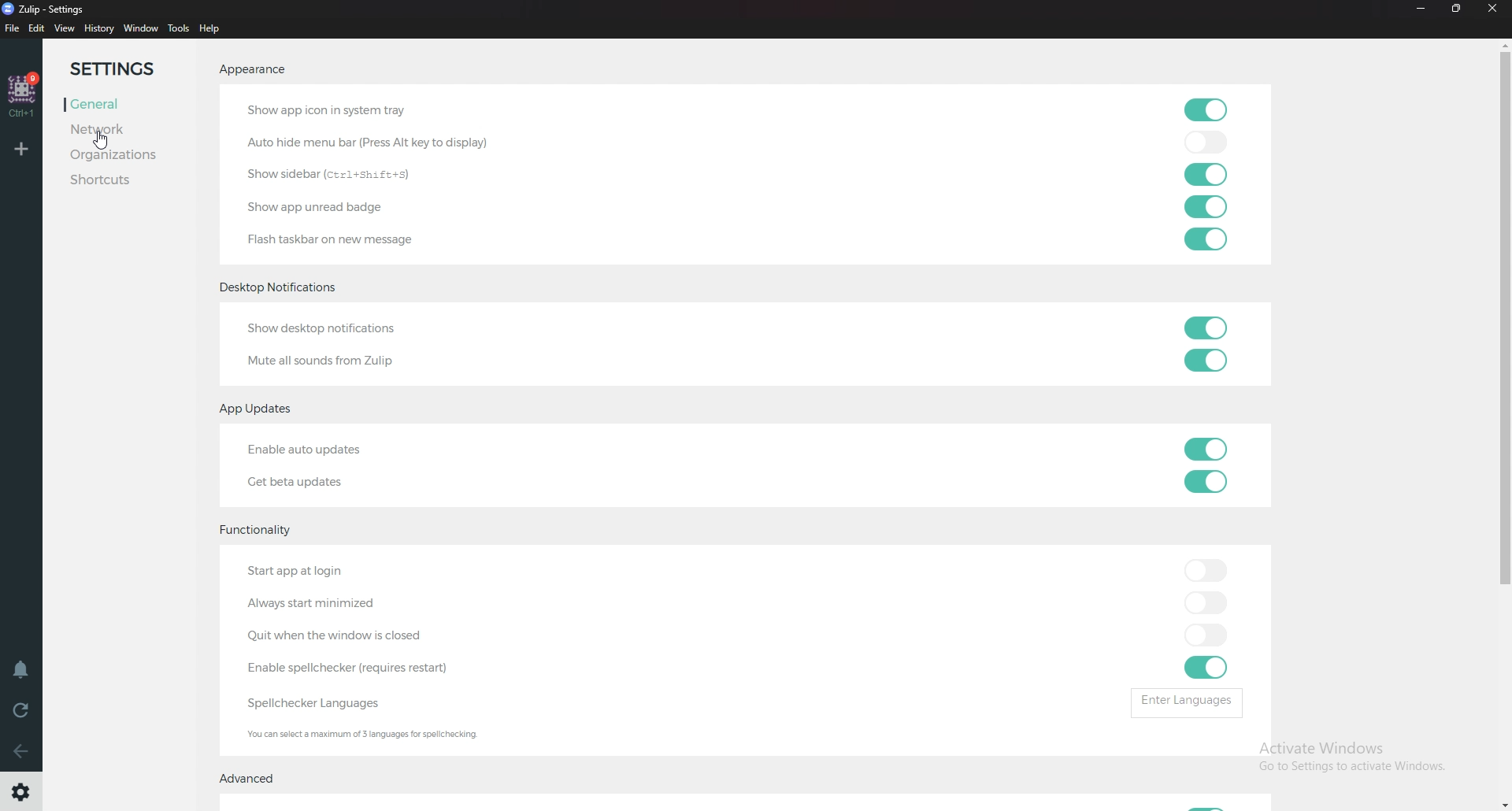  Describe the element at coordinates (1202, 109) in the screenshot. I see `toggle` at that location.